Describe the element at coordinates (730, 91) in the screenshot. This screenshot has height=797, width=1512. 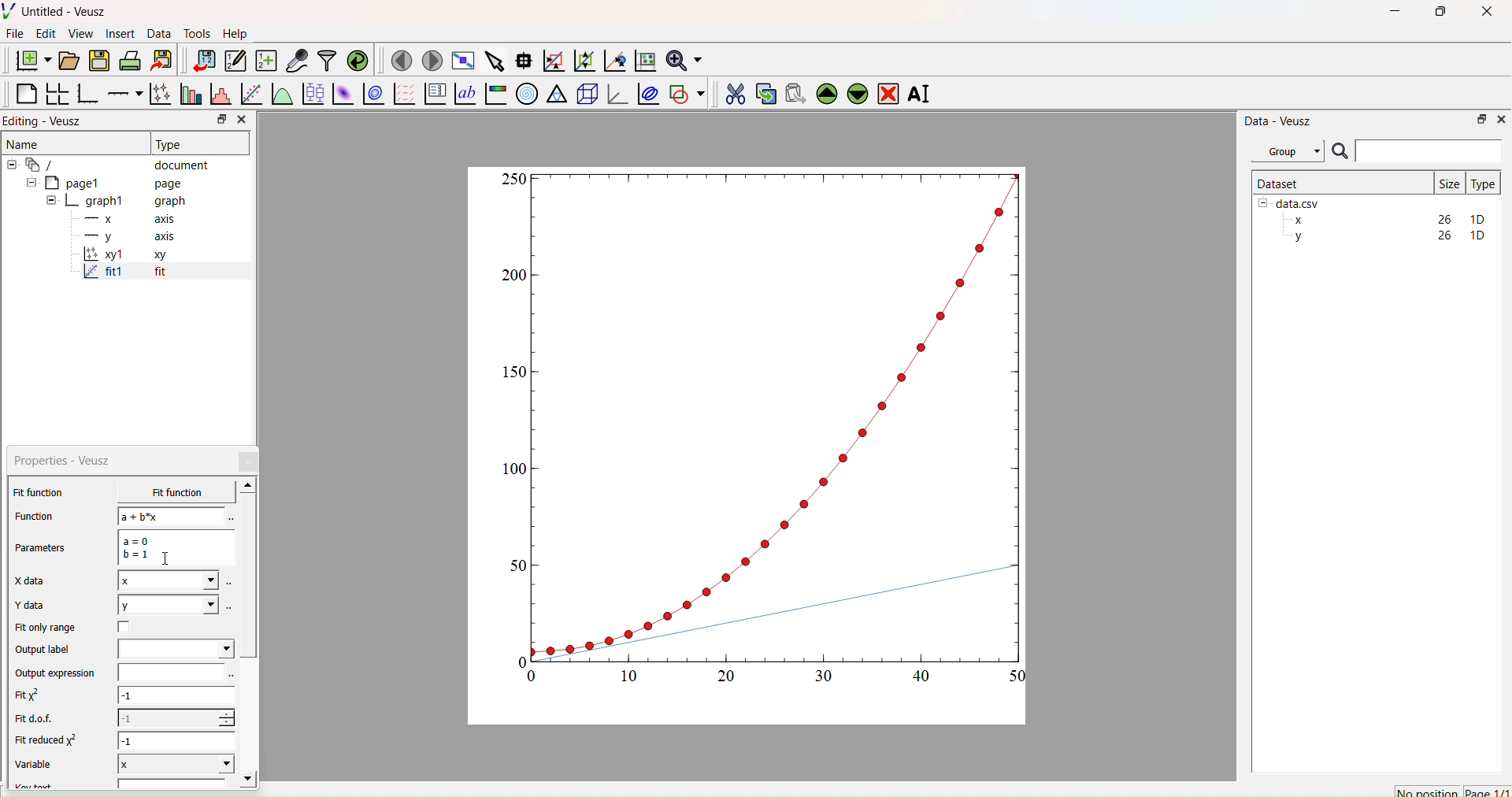
I see `Cut` at that location.